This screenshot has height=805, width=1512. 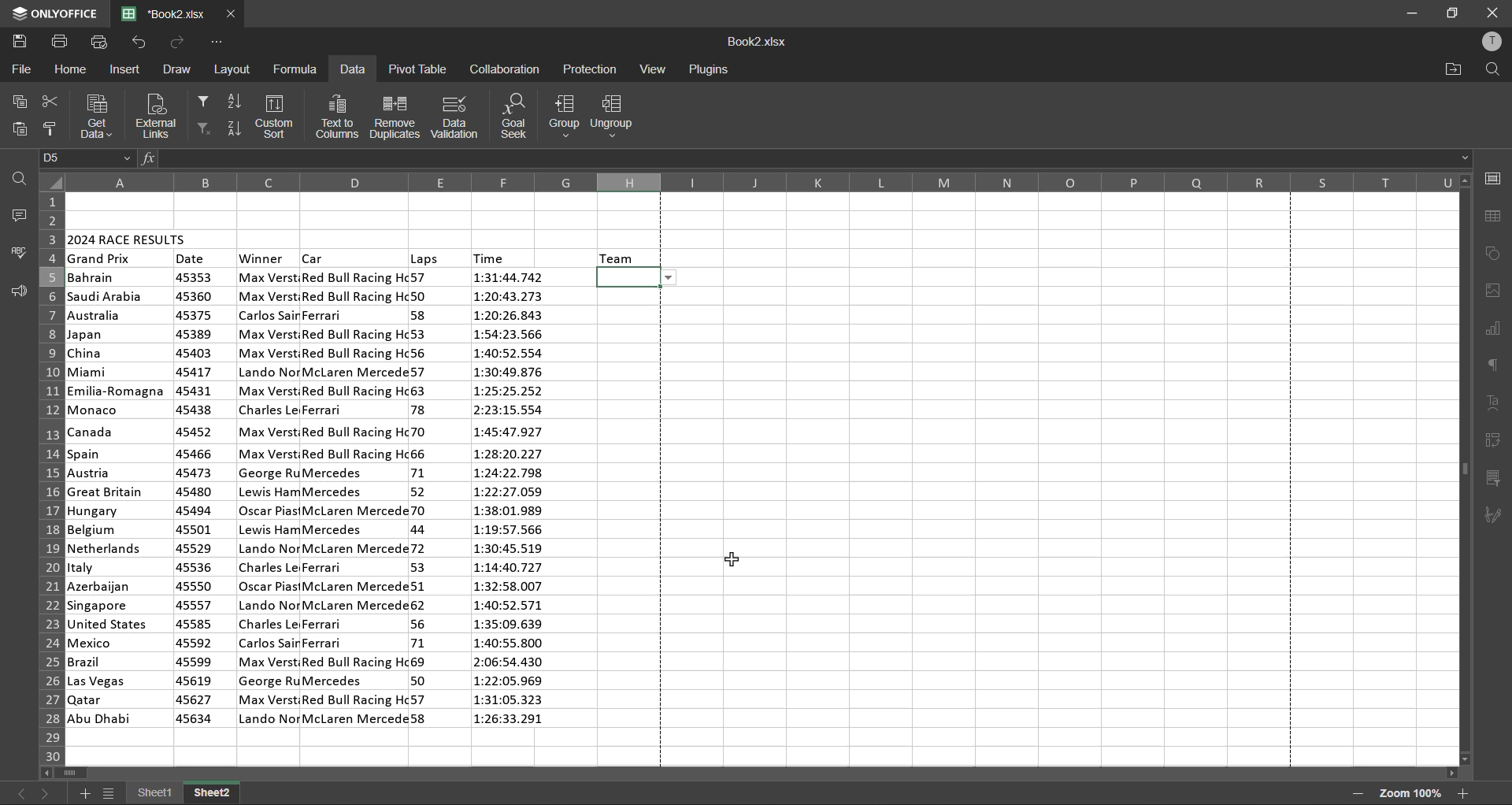 What do you see at coordinates (1491, 12) in the screenshot?
I see `close` at bounding box center [1491, 12].